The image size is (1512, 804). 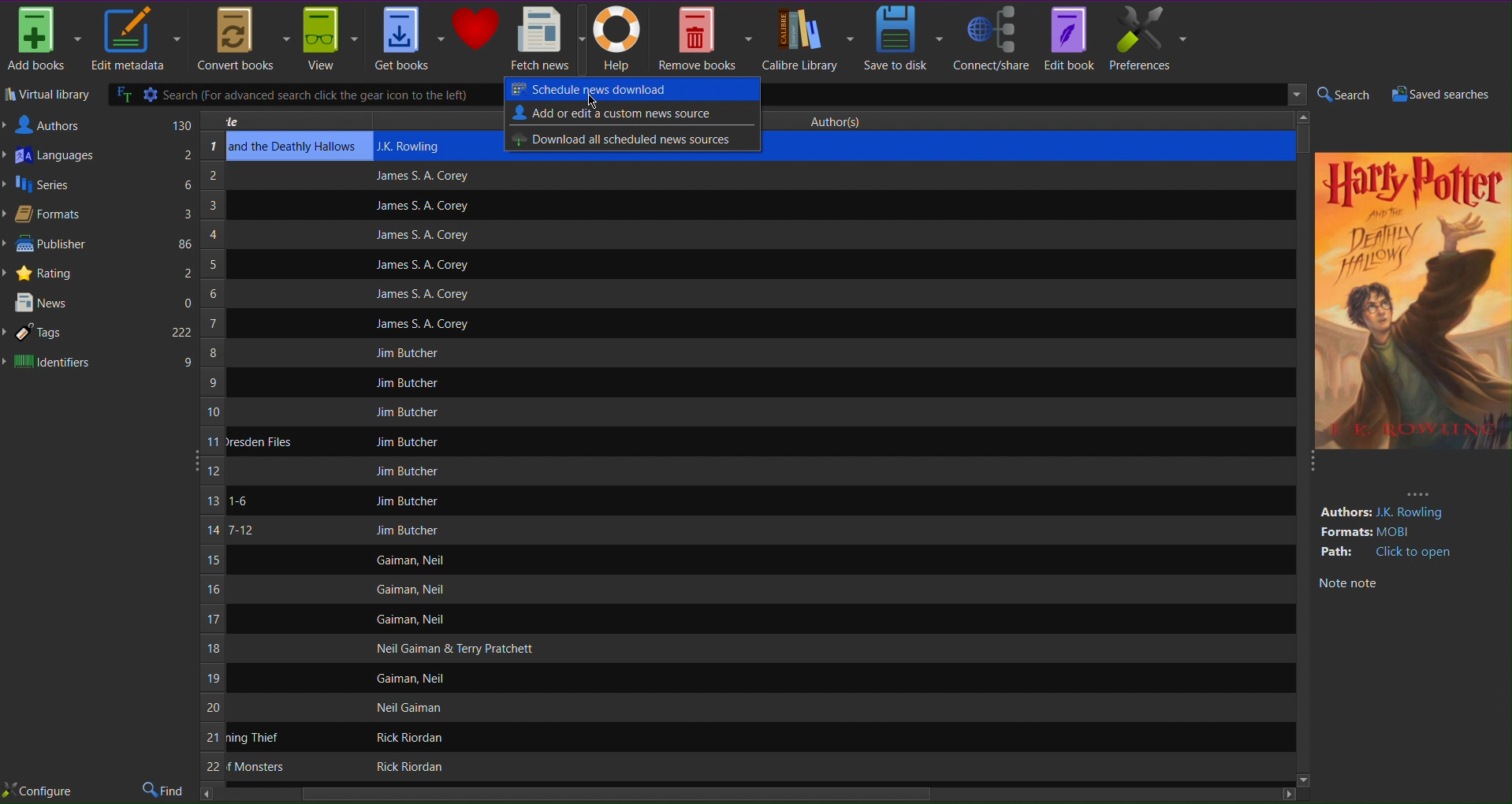 I want to click on James S. A. Corey, so click(x=420, y=207).